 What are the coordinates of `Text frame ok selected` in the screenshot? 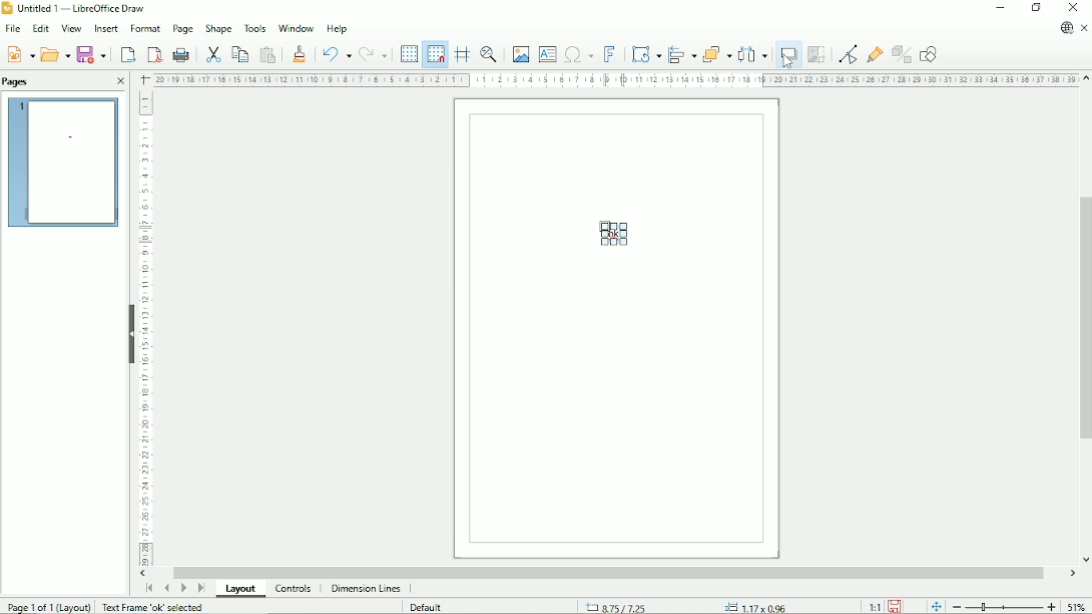 It's located at (154, 606).